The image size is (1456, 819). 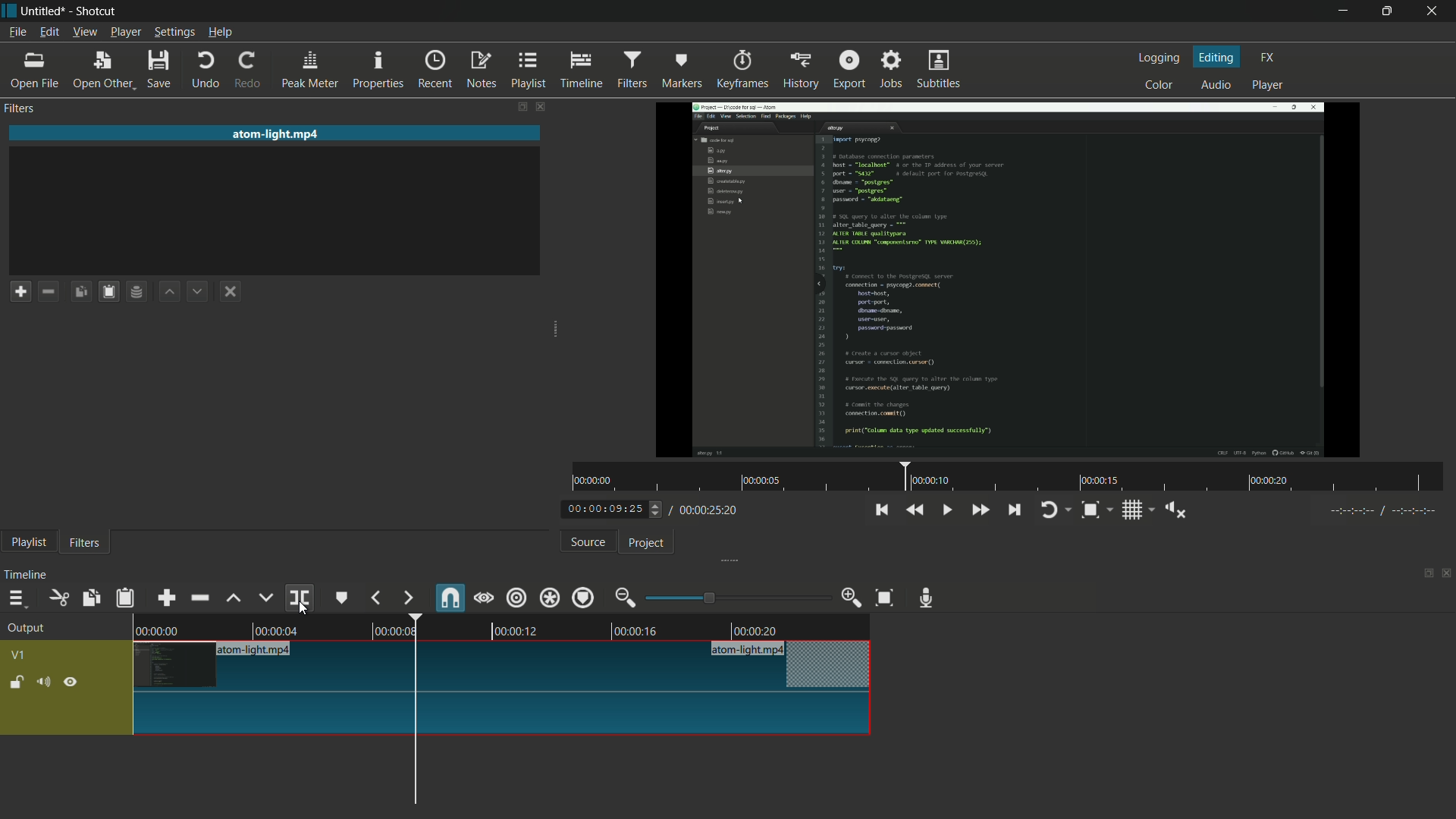 I want to click on adjustment bar, so click(x=736, y=598).